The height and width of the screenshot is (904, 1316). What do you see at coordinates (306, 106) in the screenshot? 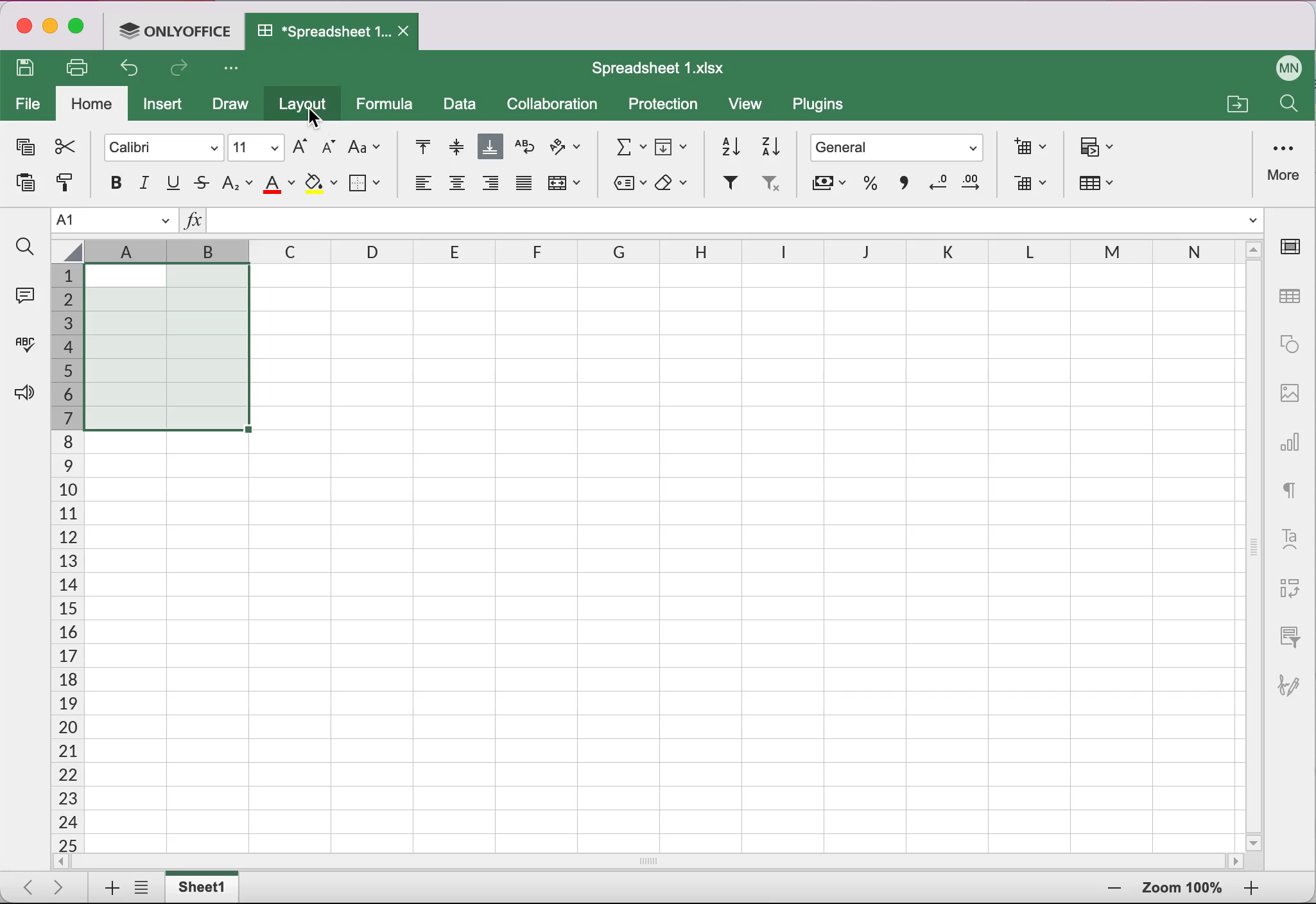
I see `layout` at bounding box center [306, 106].